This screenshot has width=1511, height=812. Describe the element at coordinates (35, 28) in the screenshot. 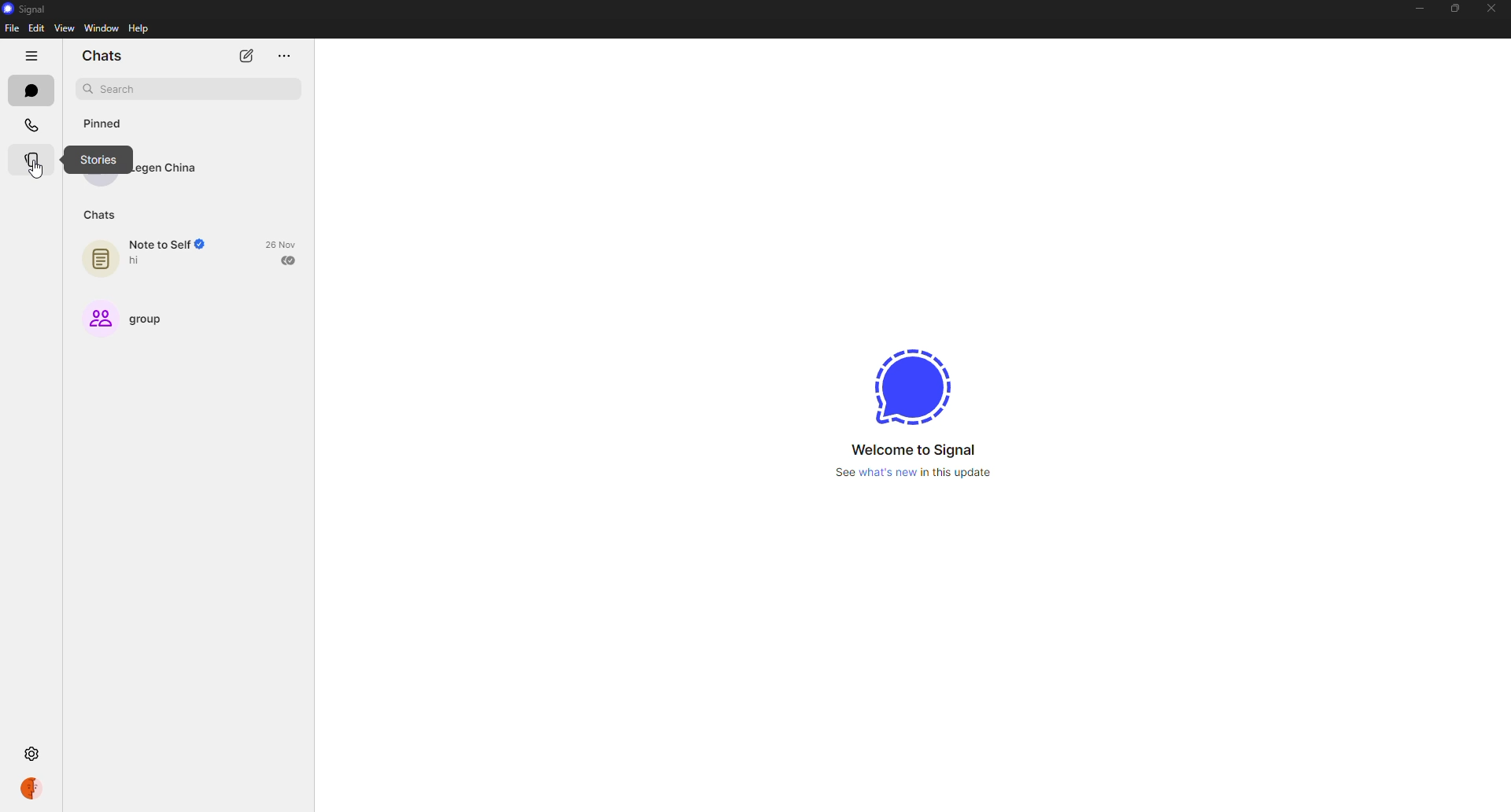

I see `edit` at that location.